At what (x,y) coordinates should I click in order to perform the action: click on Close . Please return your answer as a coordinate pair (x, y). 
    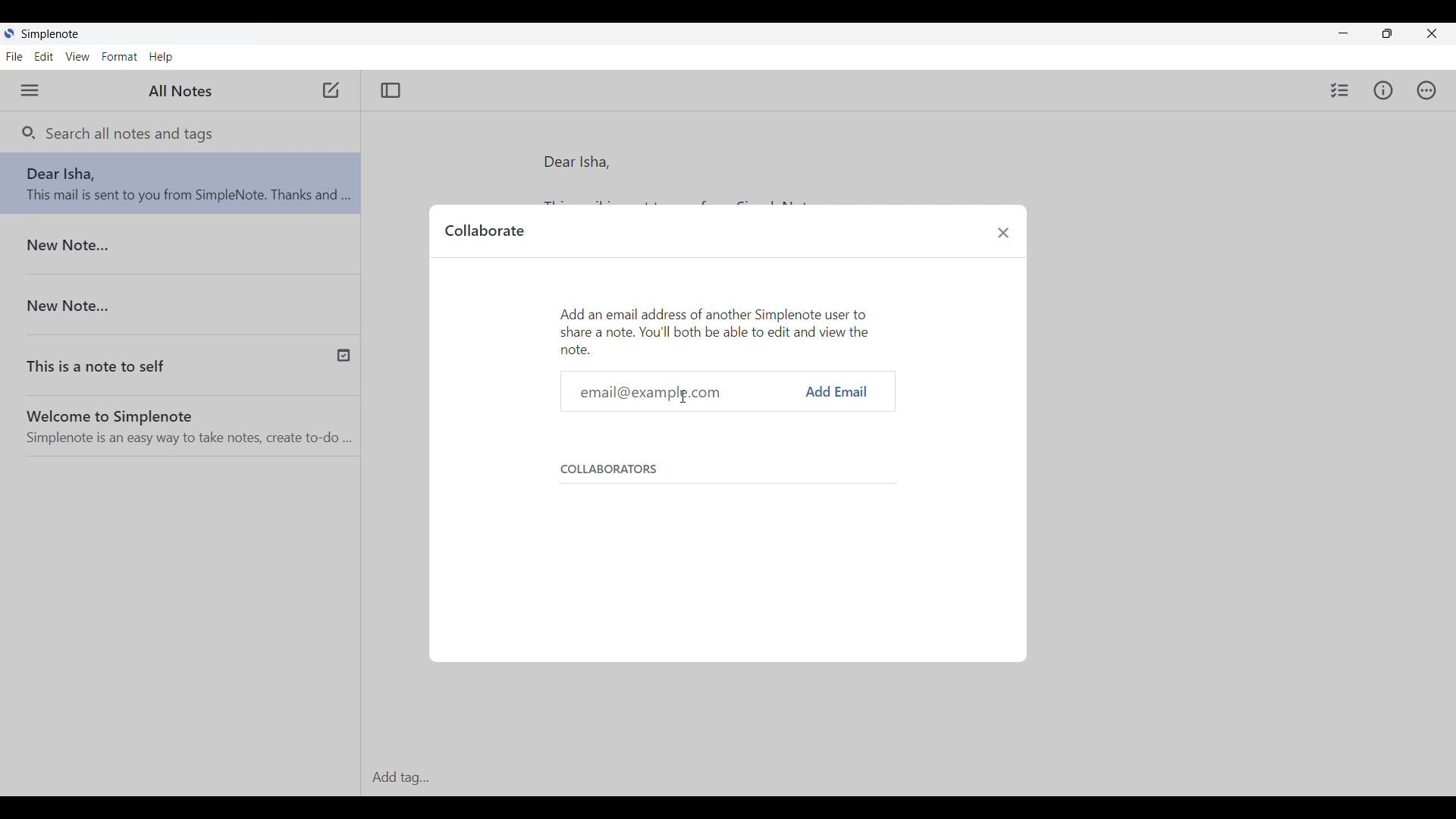
    Looking at the image, I should click on (1004, 232).